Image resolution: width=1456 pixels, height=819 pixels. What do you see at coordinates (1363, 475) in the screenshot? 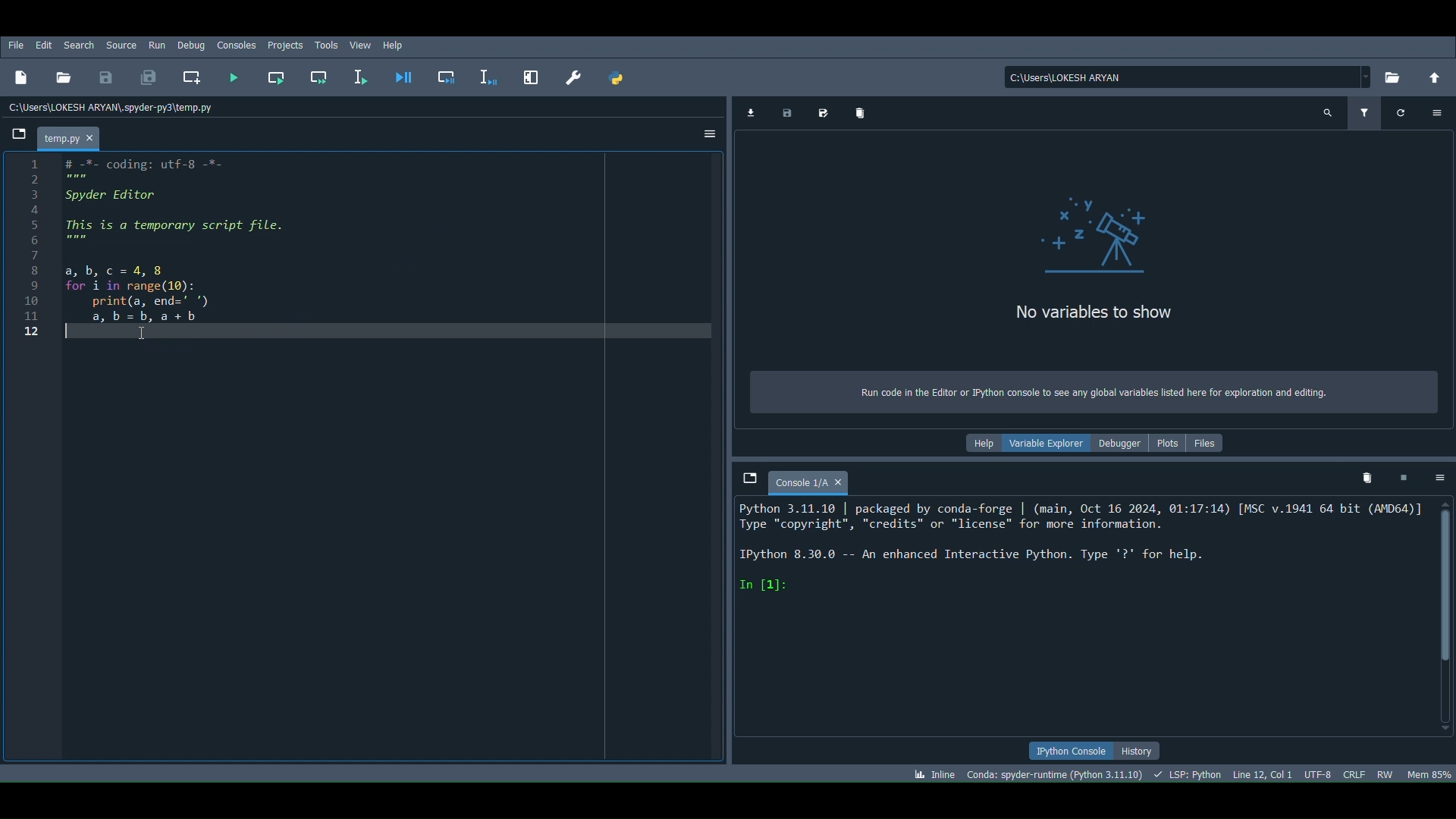
I see `Remove all variables from namespace` at bounding box center [1363, 475].